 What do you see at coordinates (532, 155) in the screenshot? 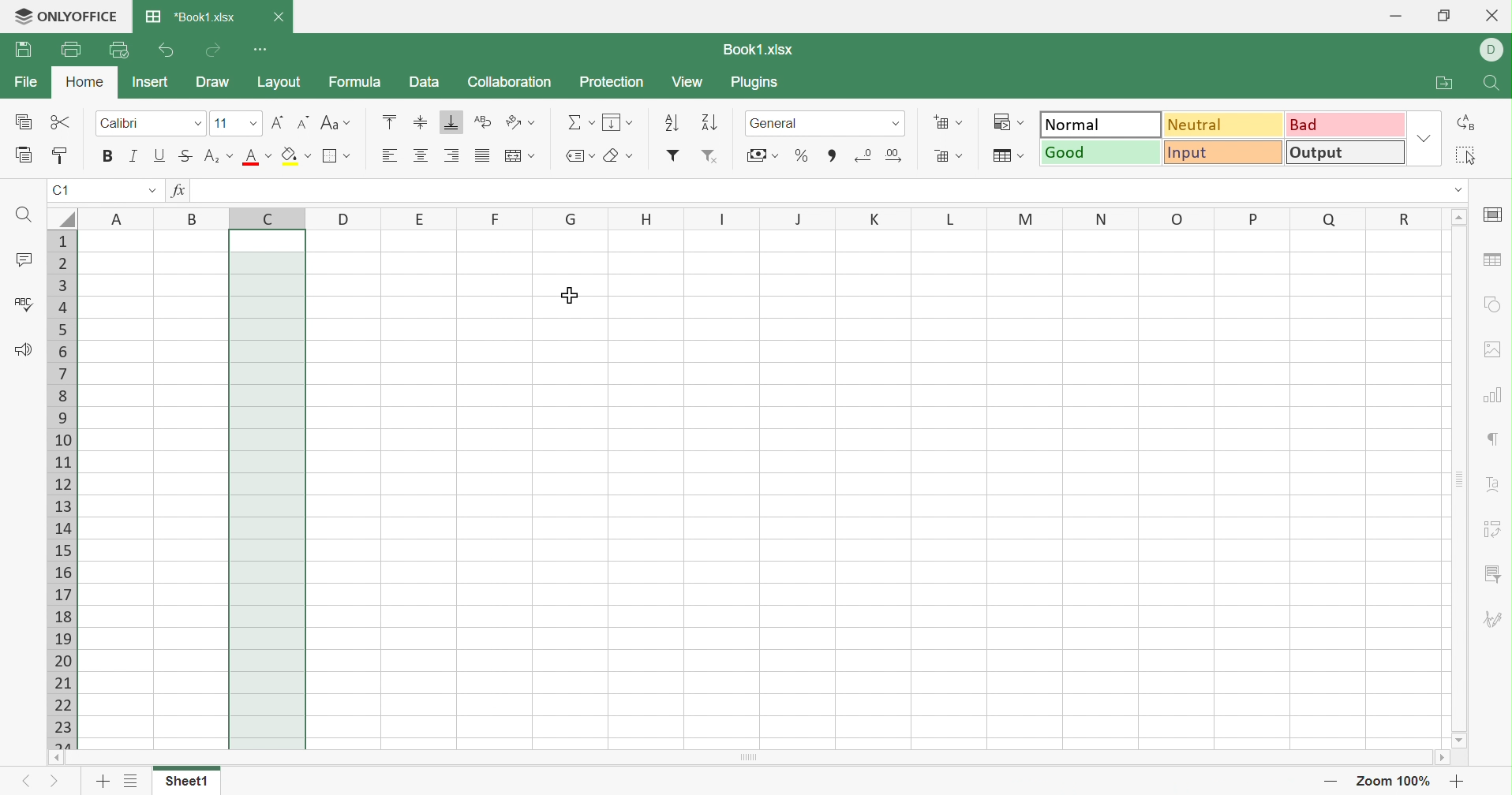
I see `Drop Down` at bounding box center [532, 155].